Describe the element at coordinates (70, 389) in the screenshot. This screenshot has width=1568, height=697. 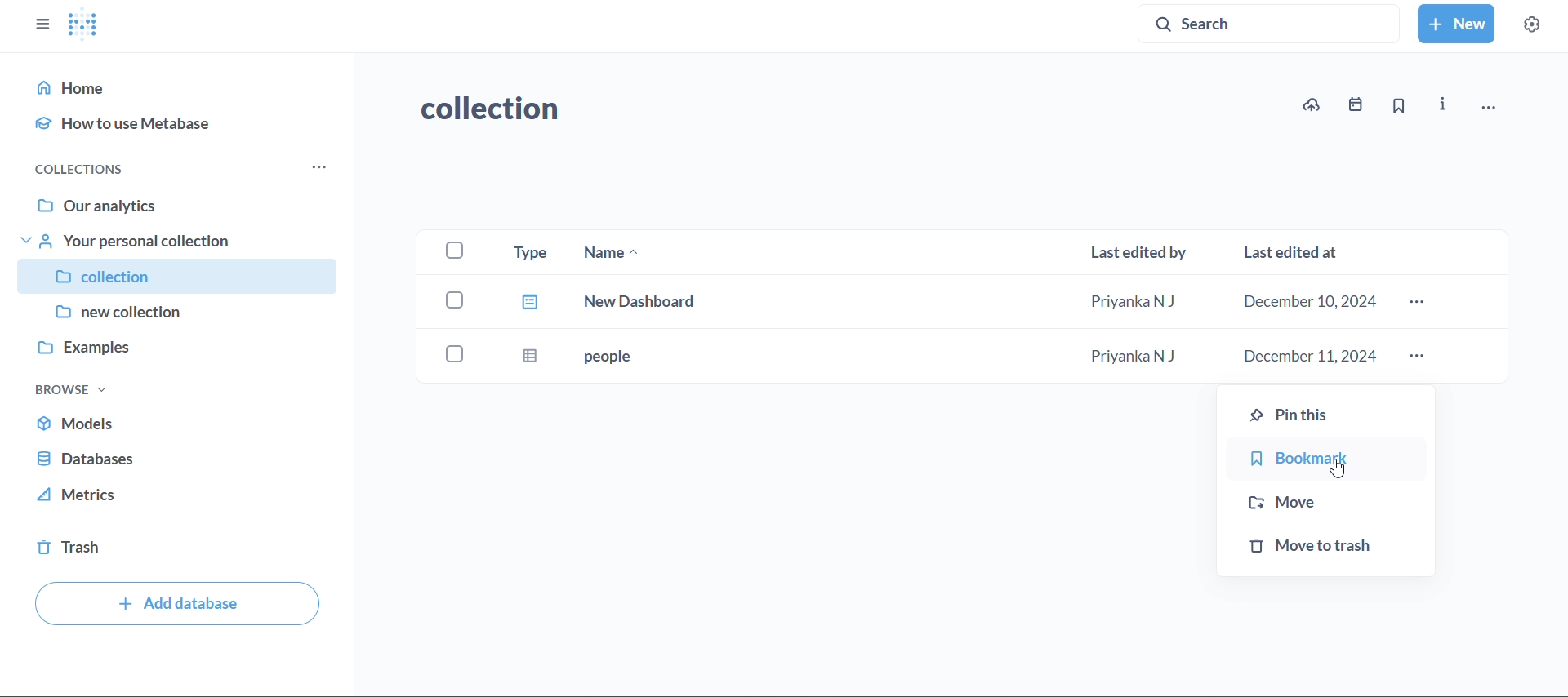
I see `browse` at that location.